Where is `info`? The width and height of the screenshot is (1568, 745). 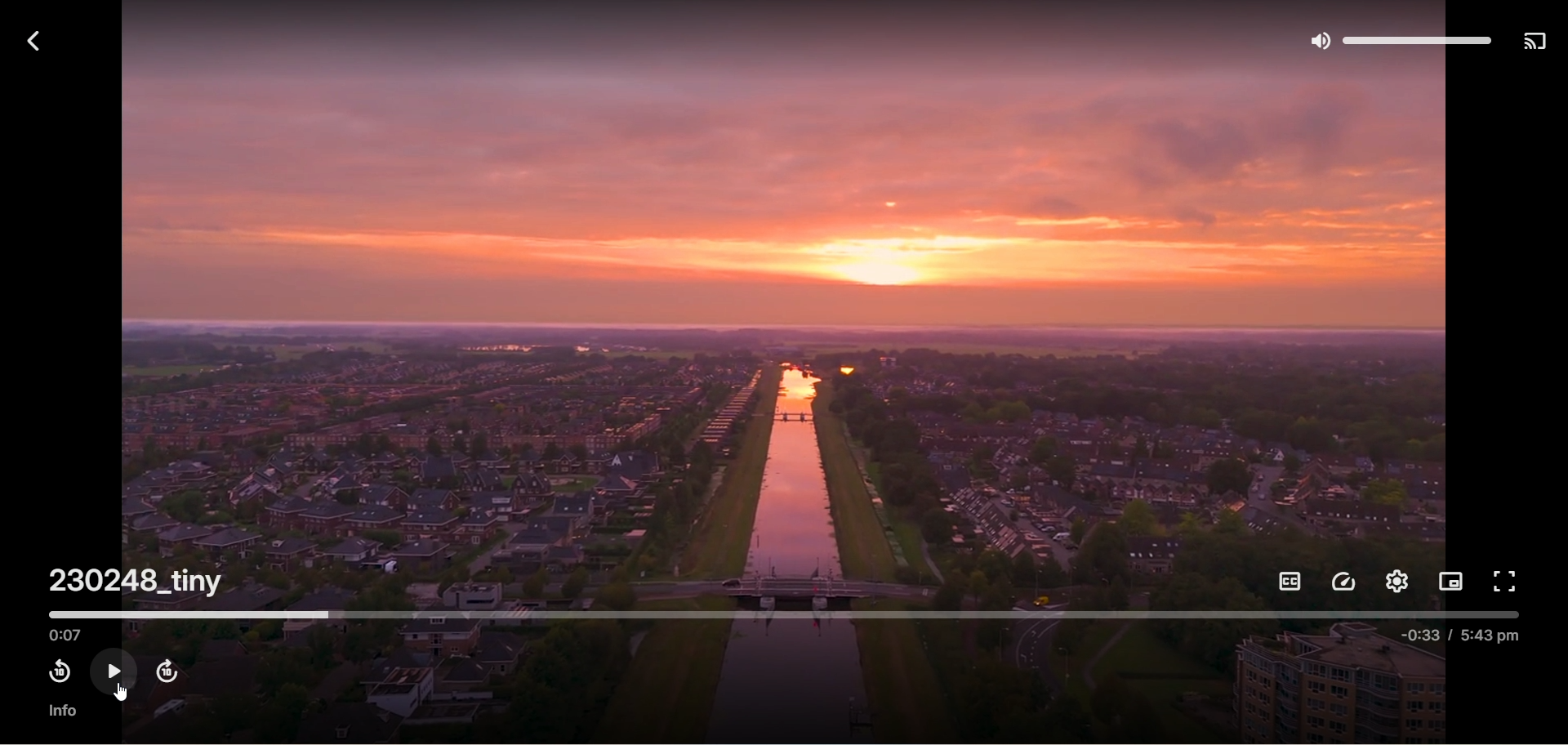
info is located at coordinates (66, 713).